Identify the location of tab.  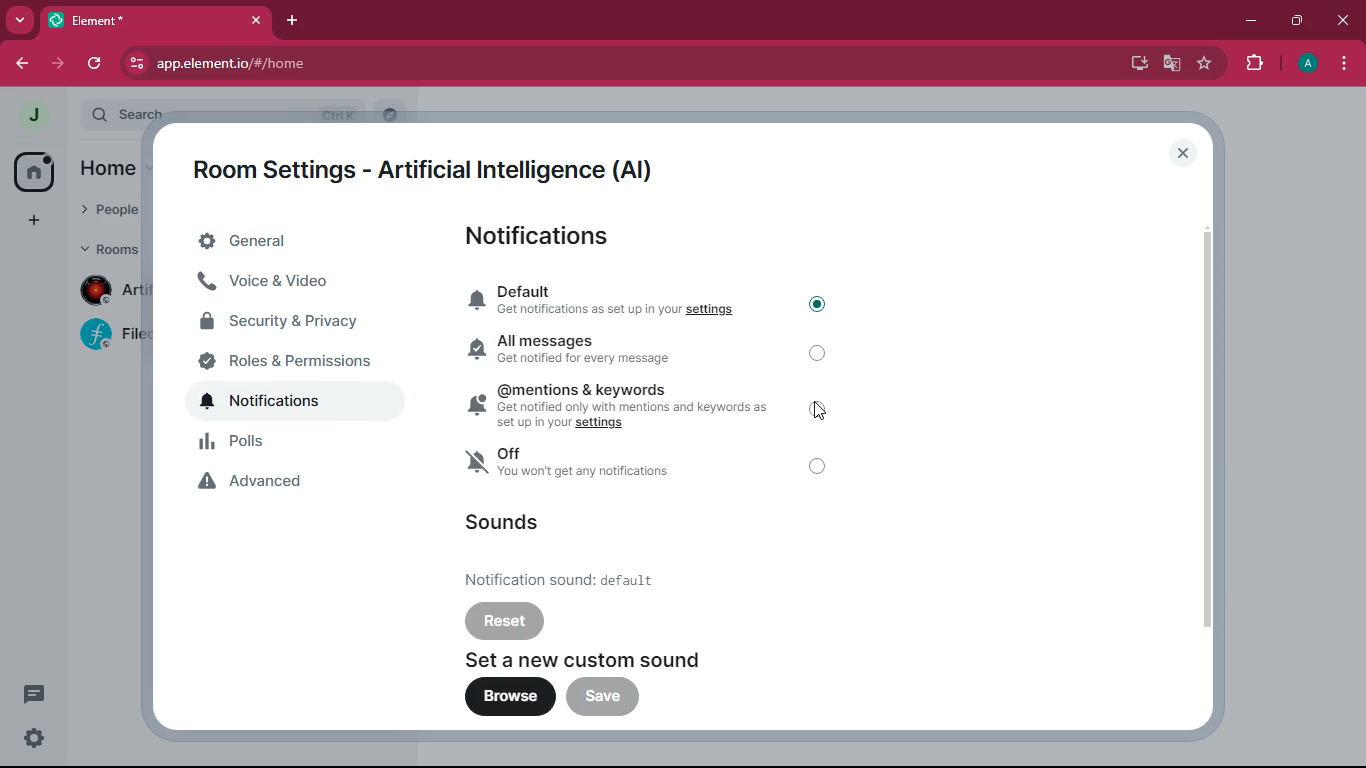
(161, 24).